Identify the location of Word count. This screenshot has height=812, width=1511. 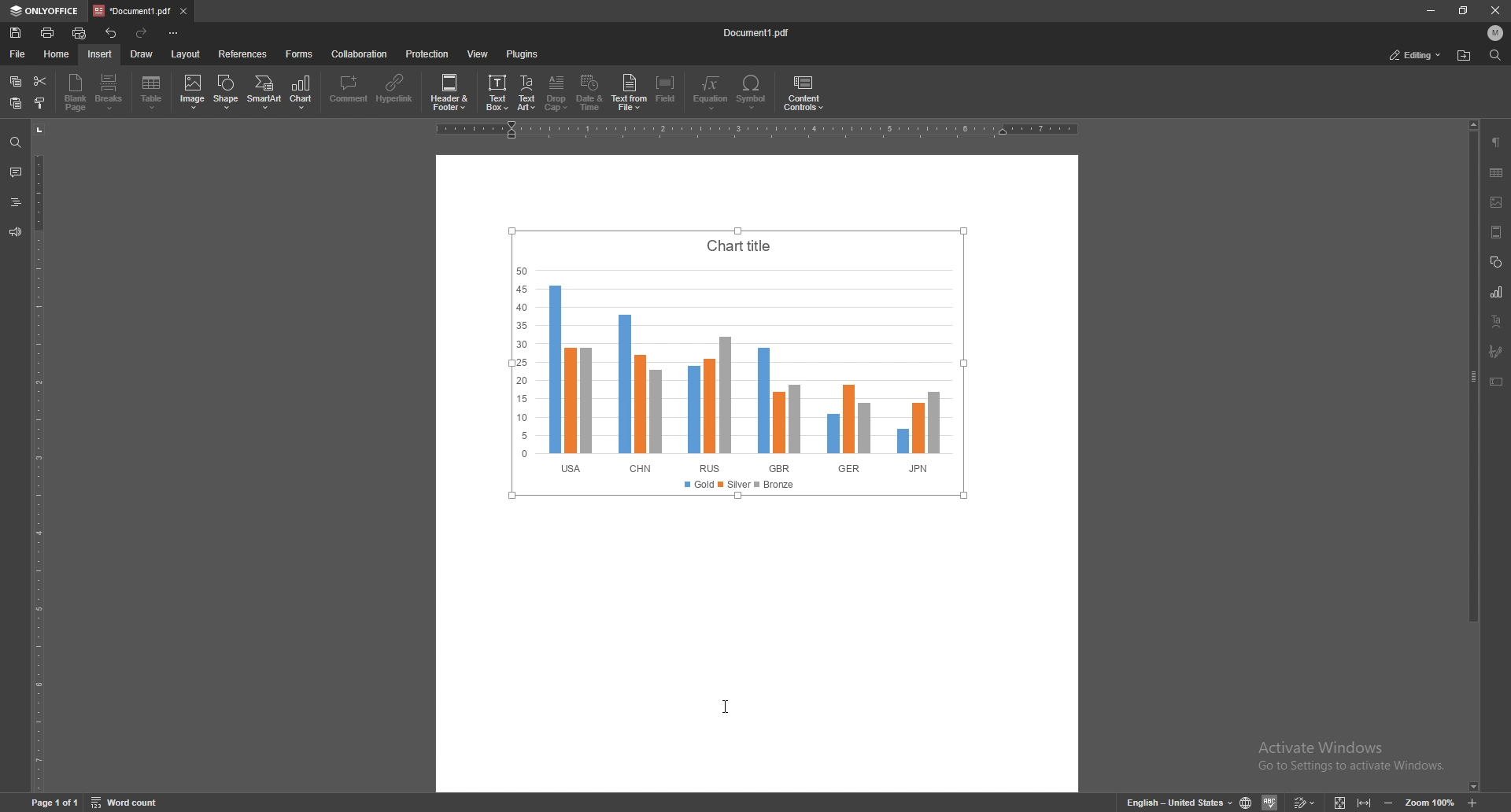
(124, 801).